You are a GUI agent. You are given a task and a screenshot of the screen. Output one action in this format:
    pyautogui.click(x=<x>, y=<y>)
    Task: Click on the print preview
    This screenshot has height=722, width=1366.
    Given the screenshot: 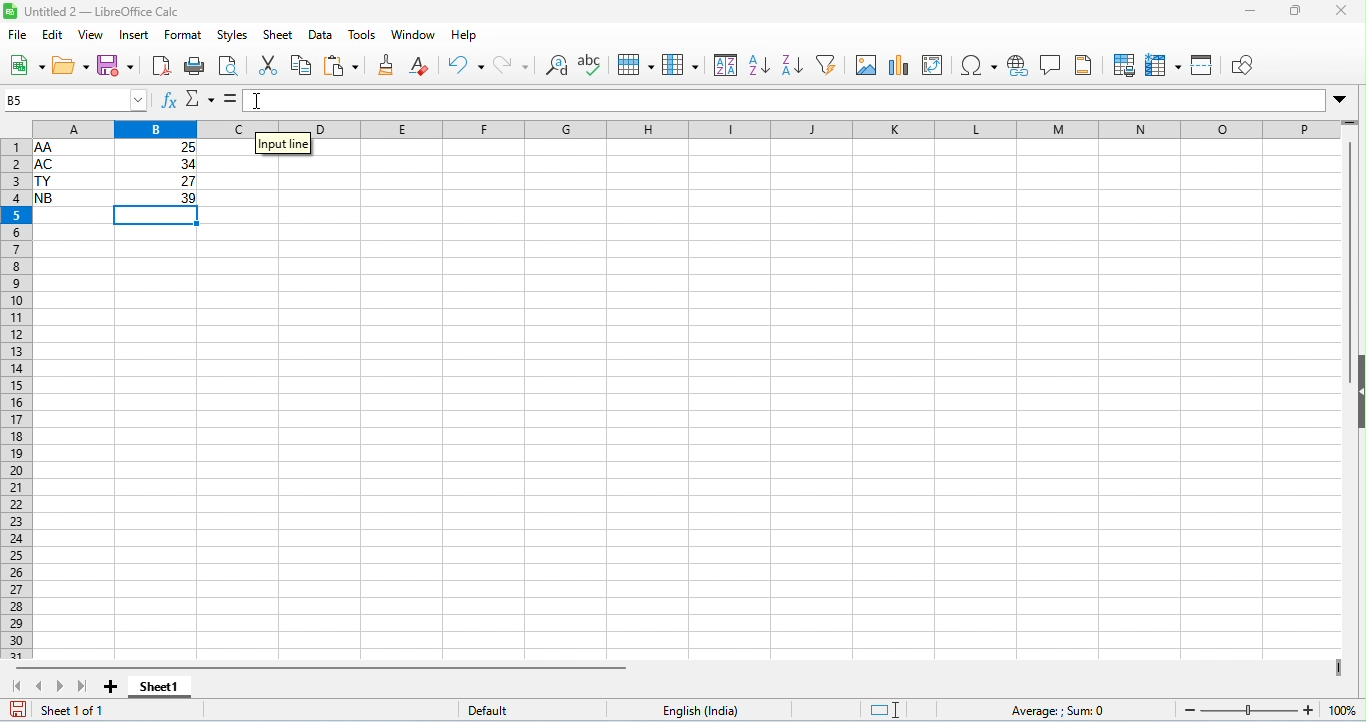 What is the action you would take?
    pyautogui.click(x=230, y=67)
    